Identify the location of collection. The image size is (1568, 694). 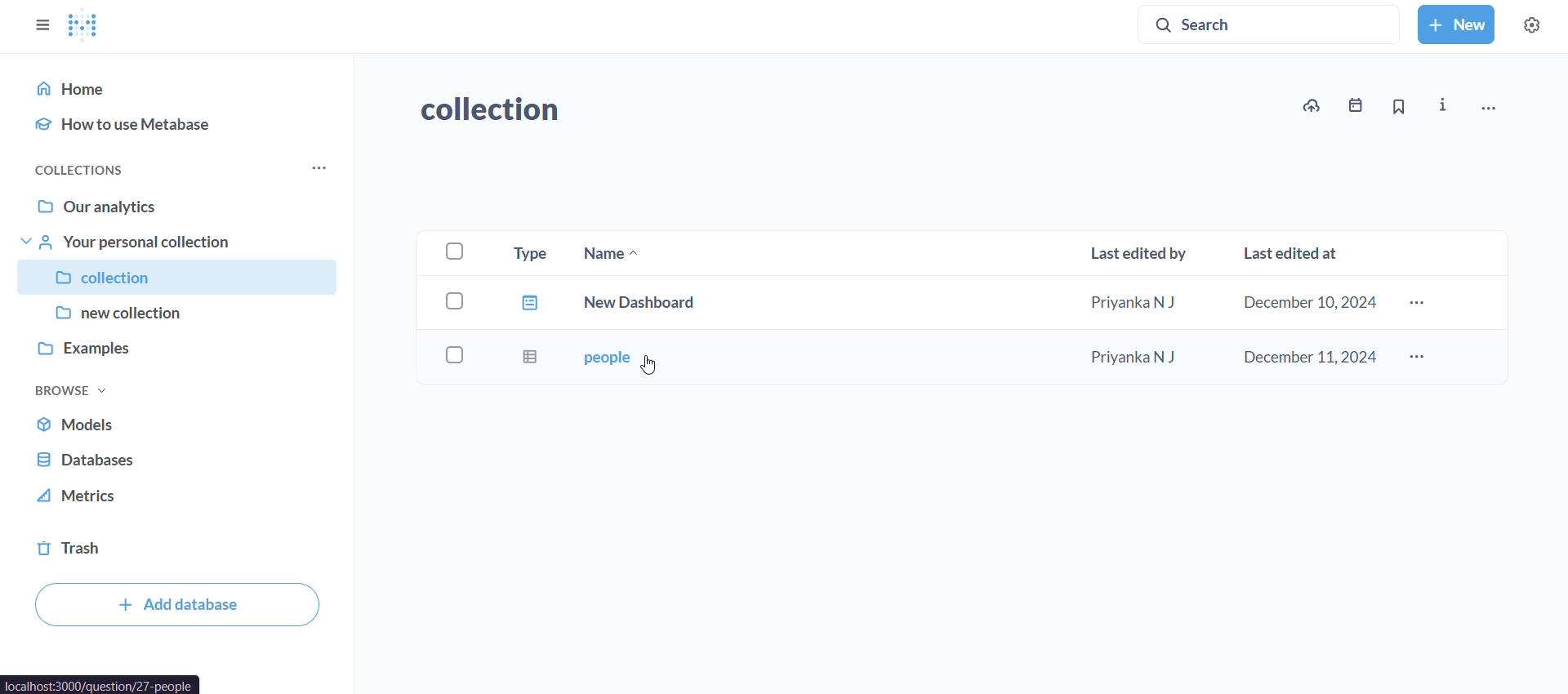
(501, 112).